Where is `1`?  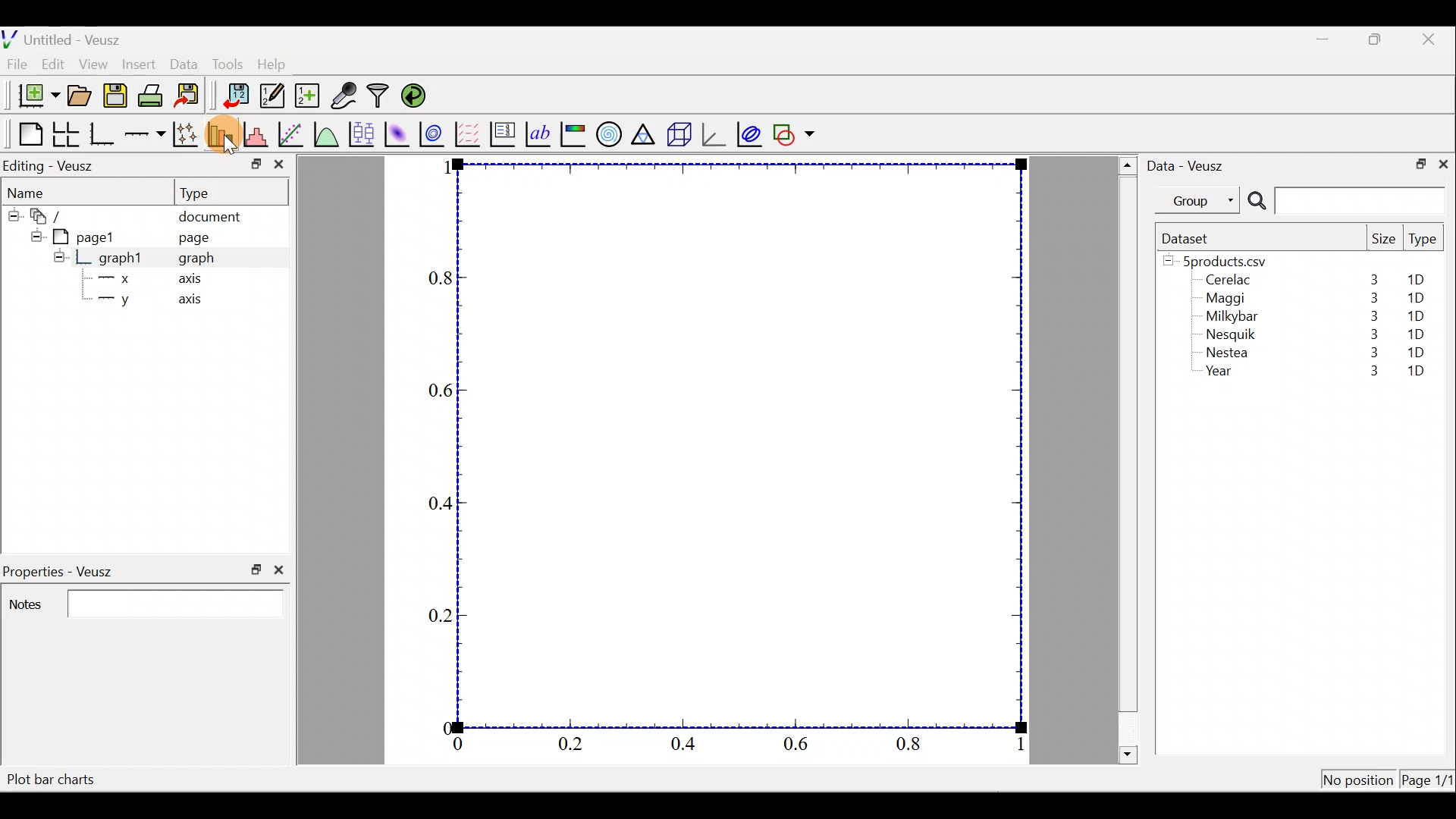 1 is located at coordinates (446, 167).